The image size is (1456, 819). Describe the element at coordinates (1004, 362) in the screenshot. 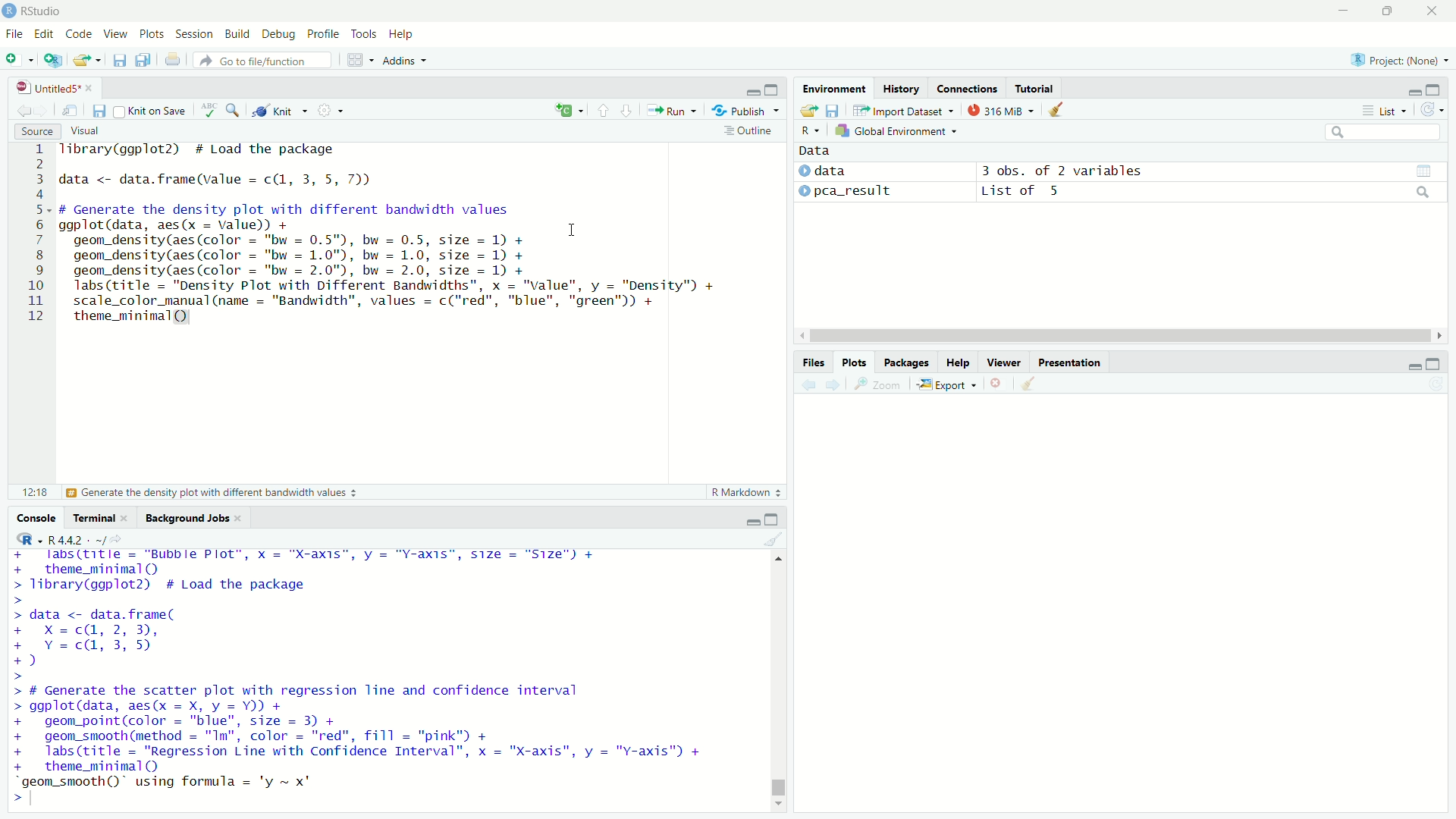

I see `Viewer` at that location.